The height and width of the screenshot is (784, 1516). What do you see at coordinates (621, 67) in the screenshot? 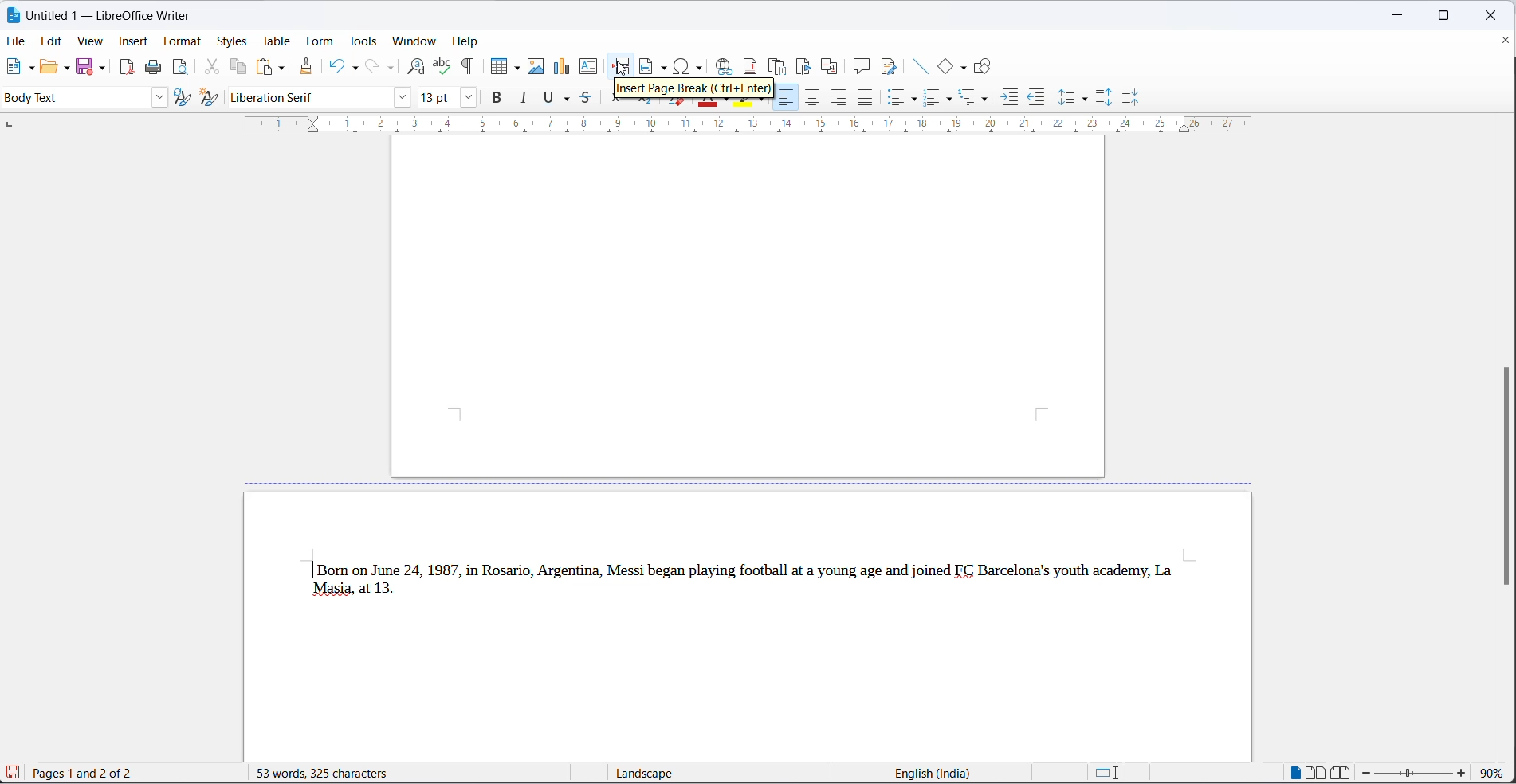
I see `page break` at bounding box center [621, 67].